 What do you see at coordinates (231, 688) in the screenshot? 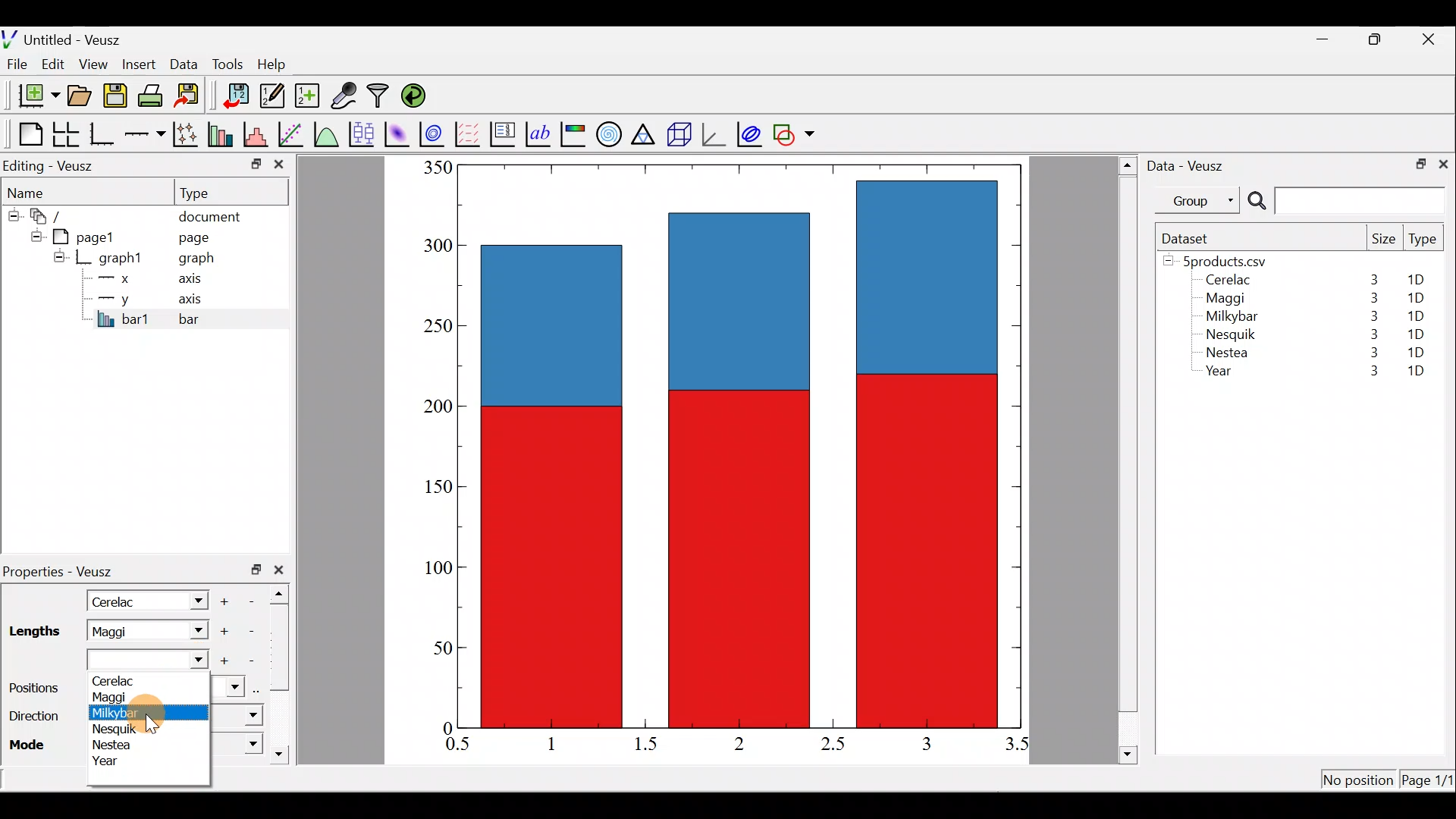
I see `Positions dropdown` at bounding box center [231, 688].